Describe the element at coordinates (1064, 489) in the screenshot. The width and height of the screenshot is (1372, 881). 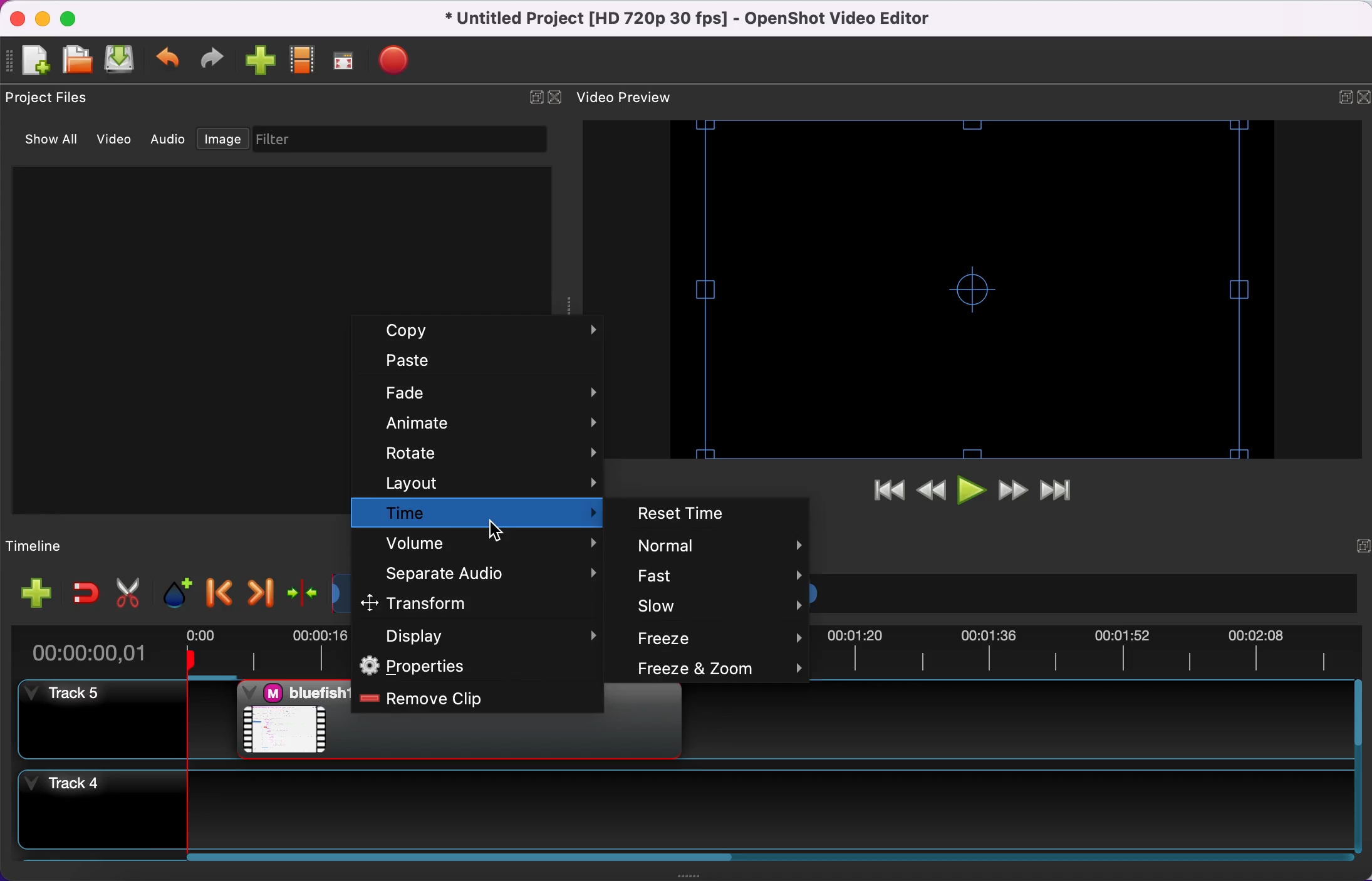
I see `jump to end` at that location.